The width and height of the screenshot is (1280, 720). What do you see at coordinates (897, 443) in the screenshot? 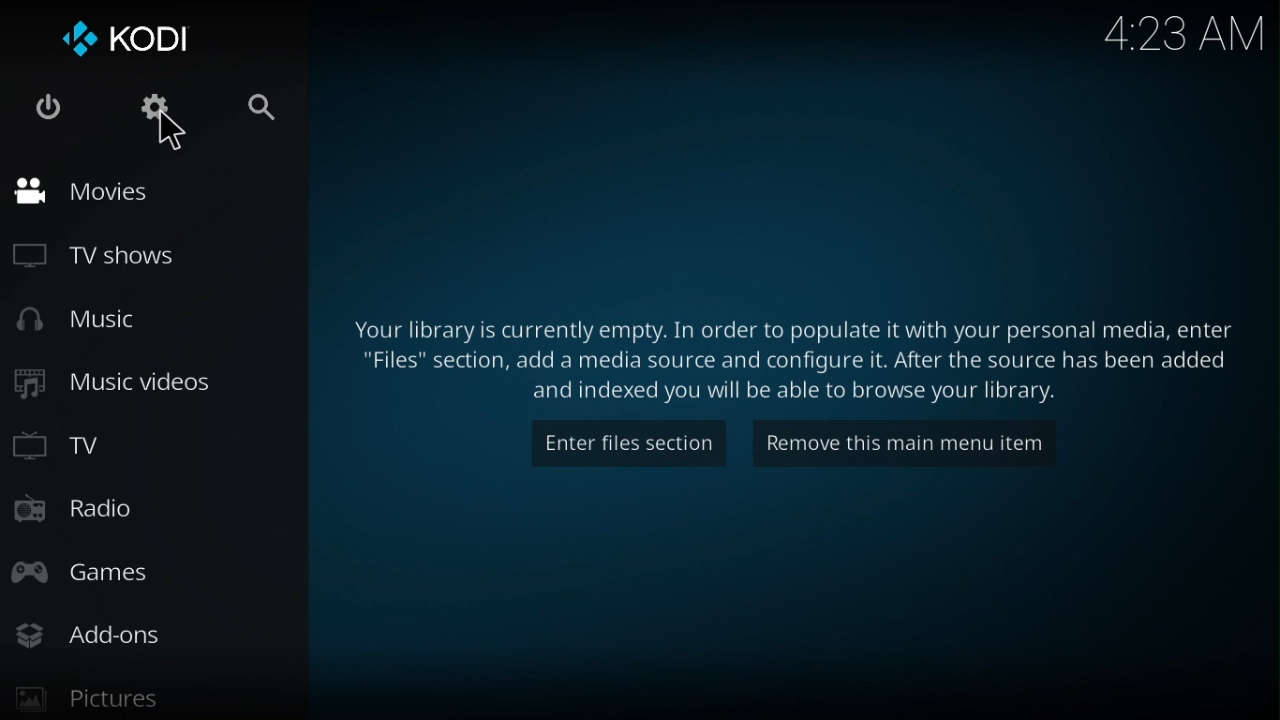
I see `Remove this menu item` at bounding box center [897, 443].